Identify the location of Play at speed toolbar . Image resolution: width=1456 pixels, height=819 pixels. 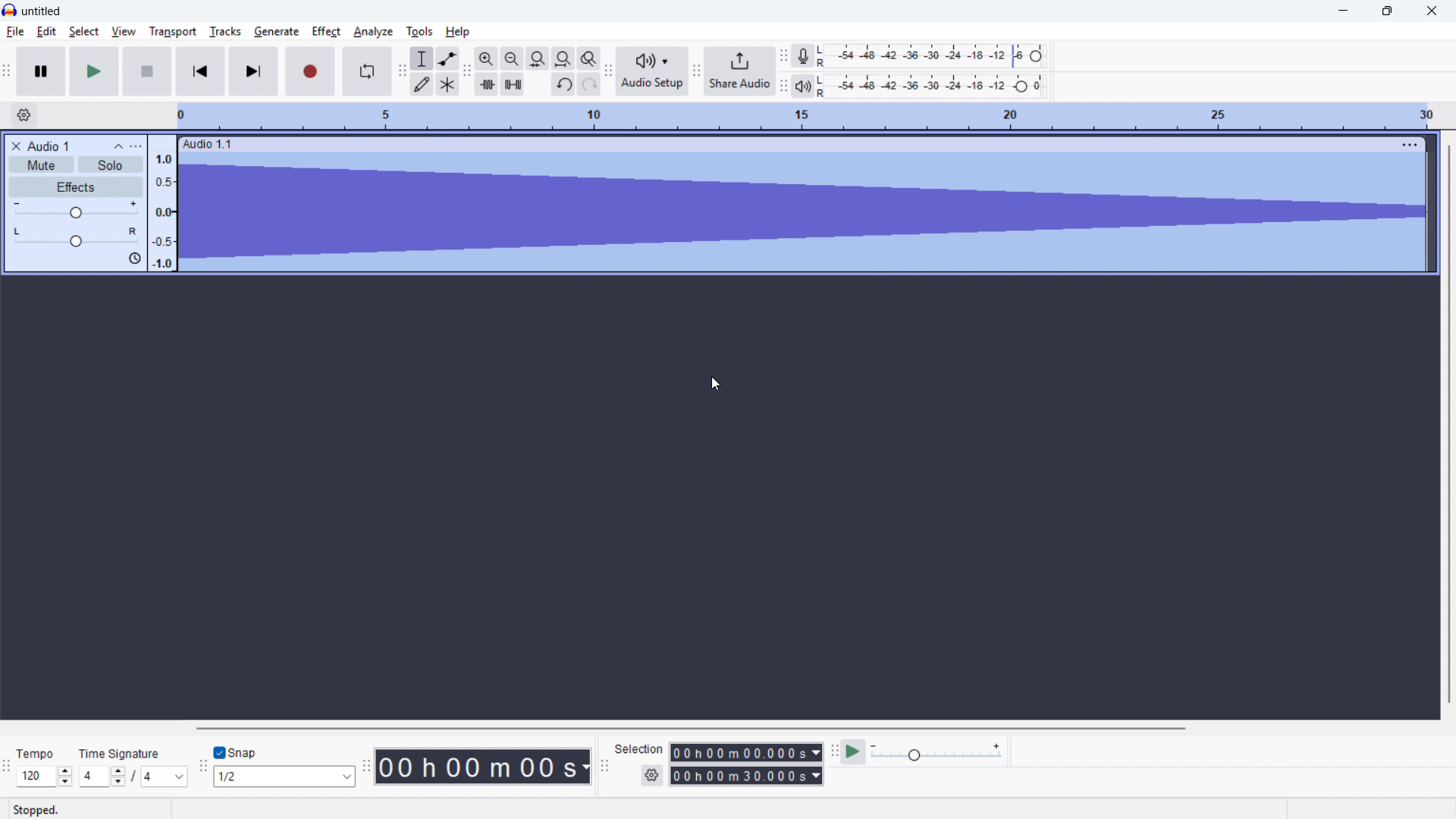
(835, 750).